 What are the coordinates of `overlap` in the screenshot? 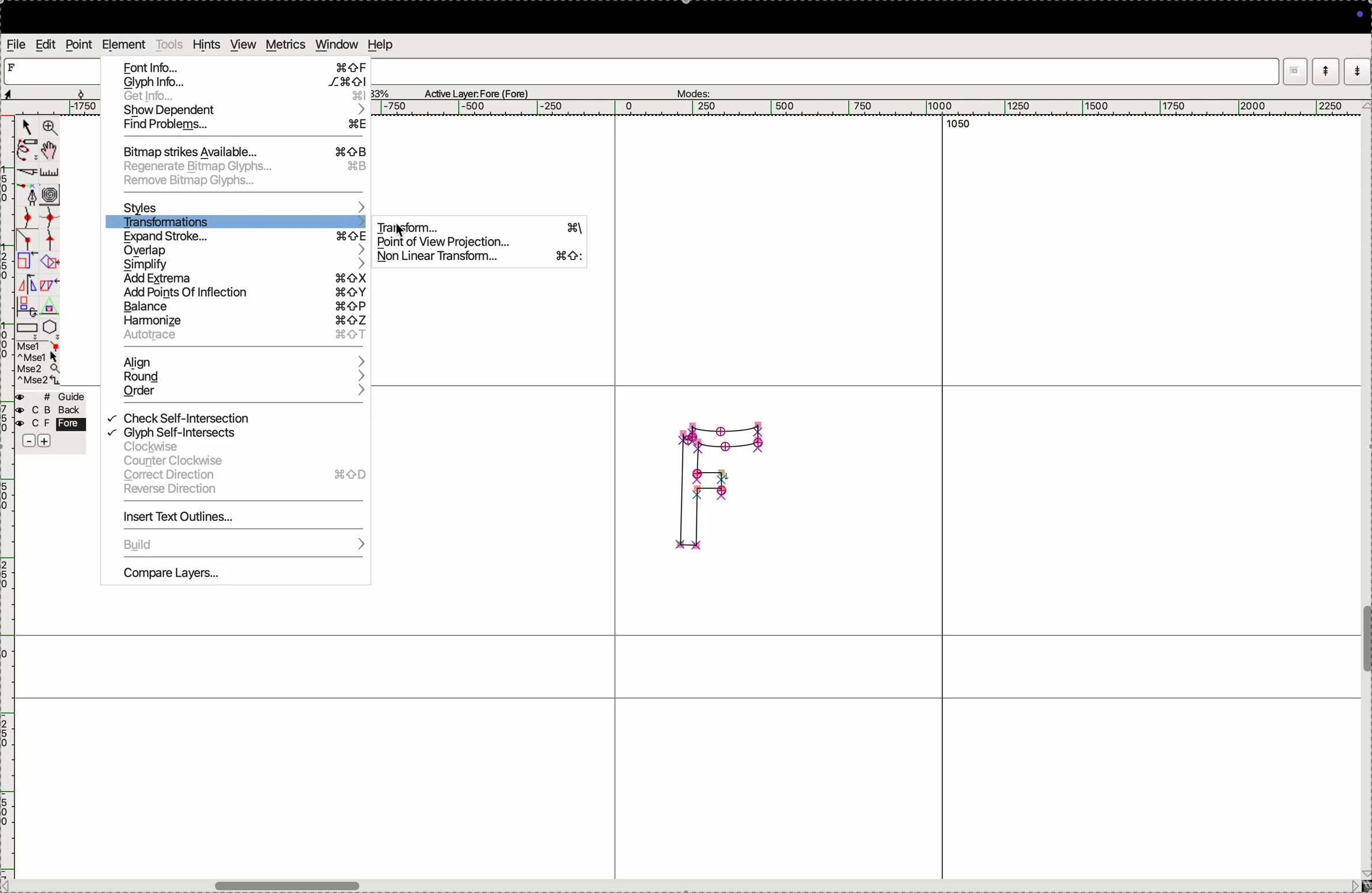 It's located at (241, 251).